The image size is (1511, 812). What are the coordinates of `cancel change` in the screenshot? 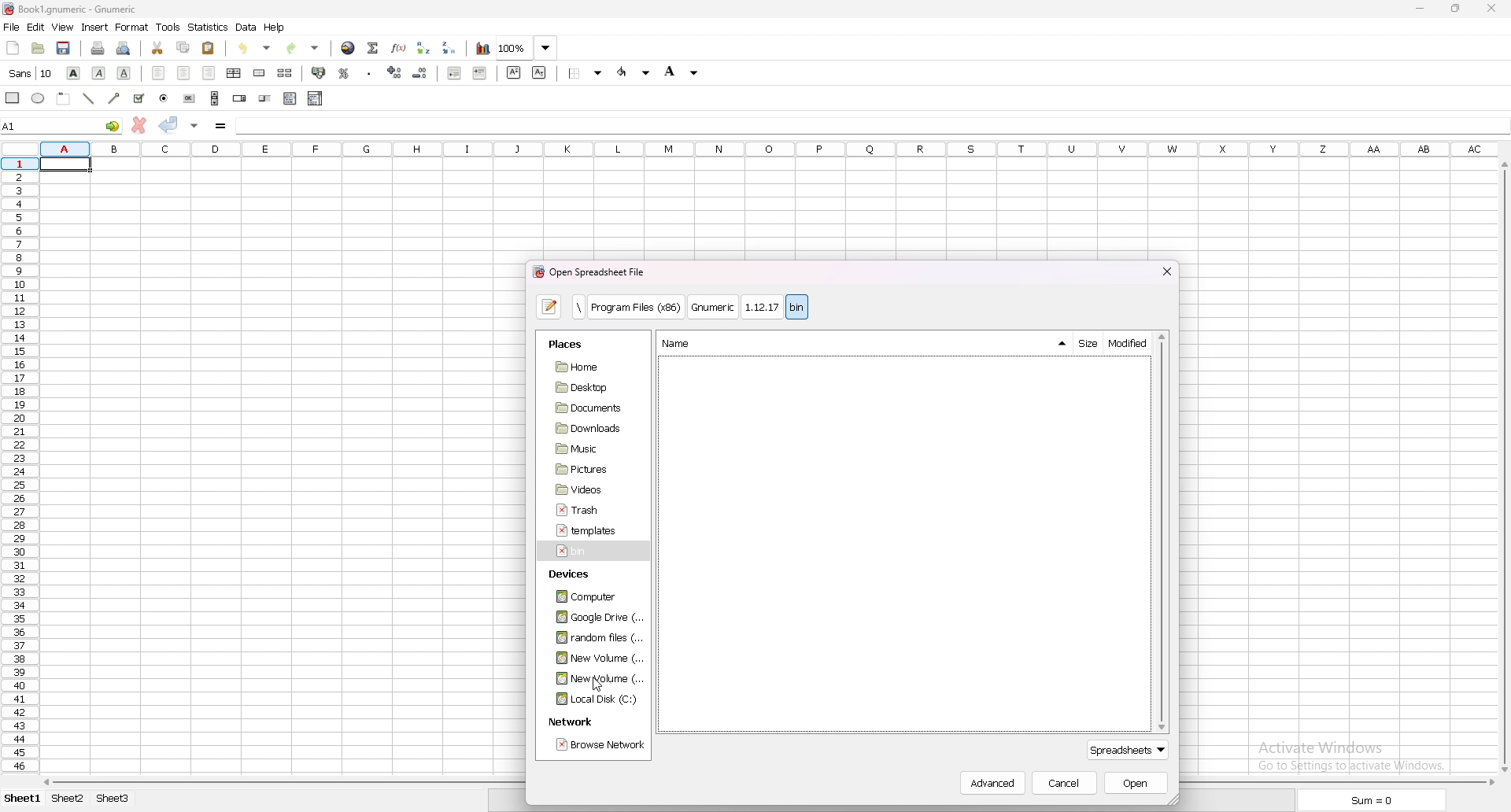 It's located at (139, 124).